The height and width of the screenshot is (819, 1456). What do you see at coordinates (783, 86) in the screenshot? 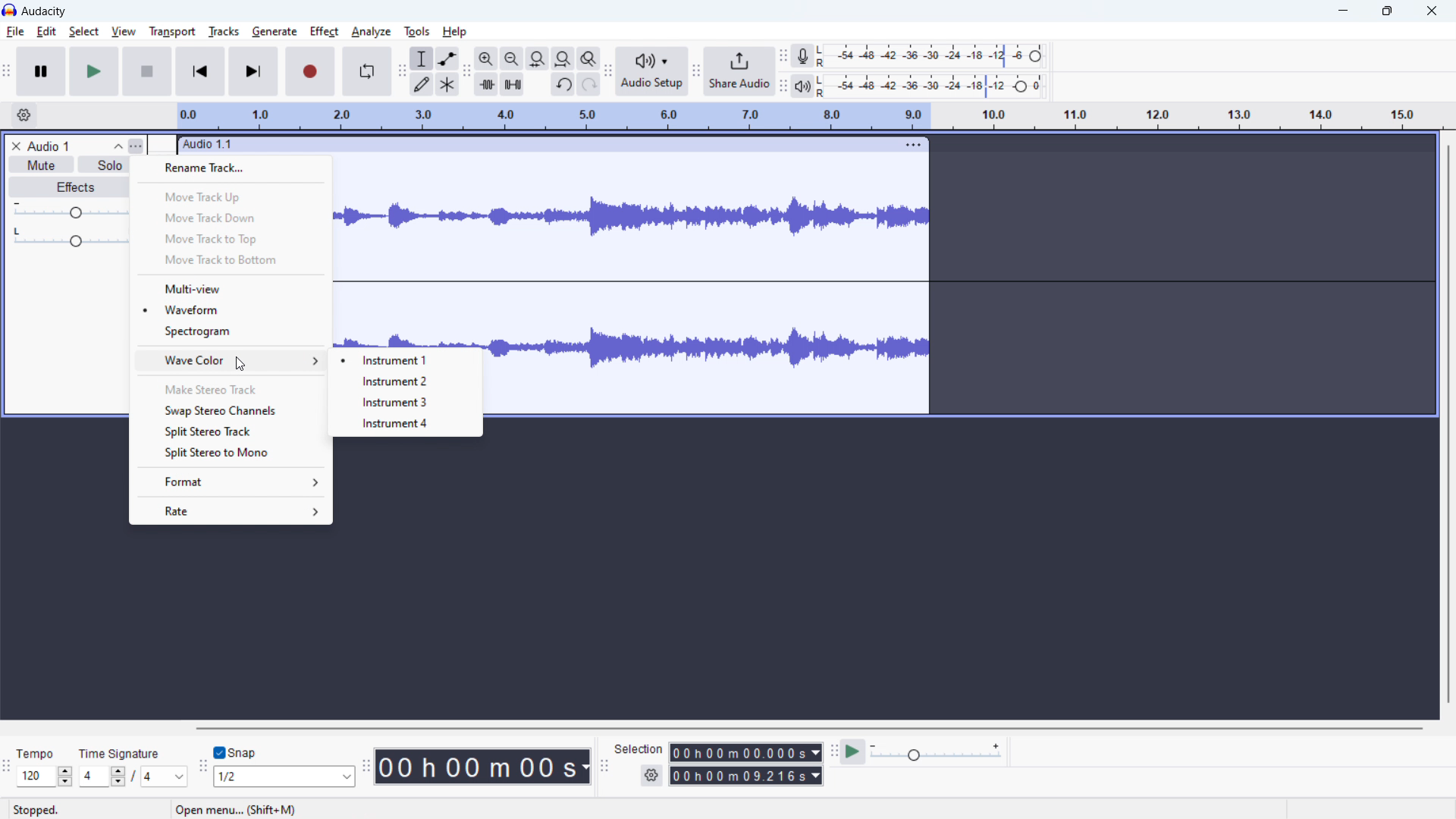
I see `playback meter toolbar` at bounding box center [783, 86].